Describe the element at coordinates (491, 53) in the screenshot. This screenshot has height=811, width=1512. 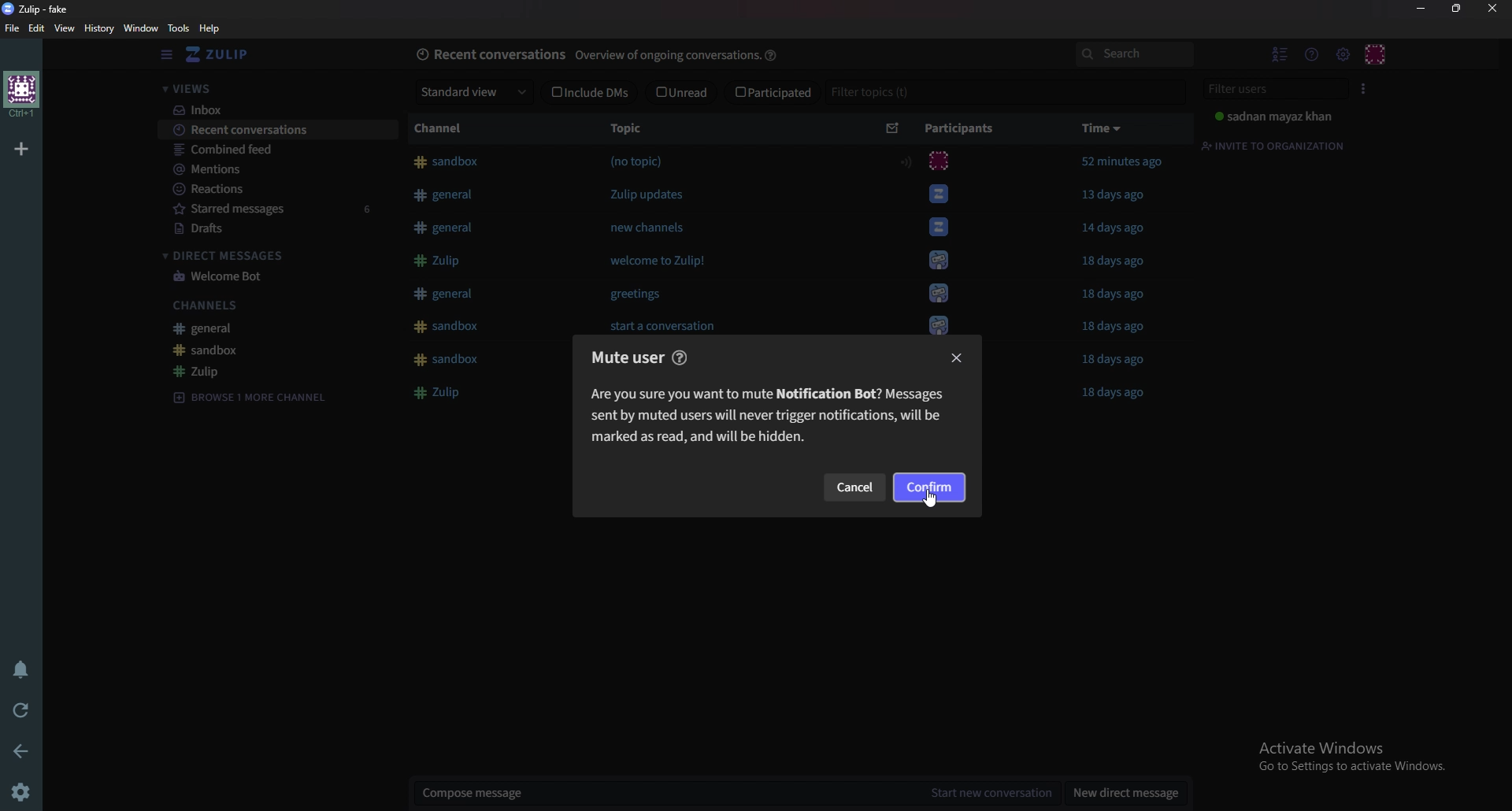
I see `Recent conversations` at that location.